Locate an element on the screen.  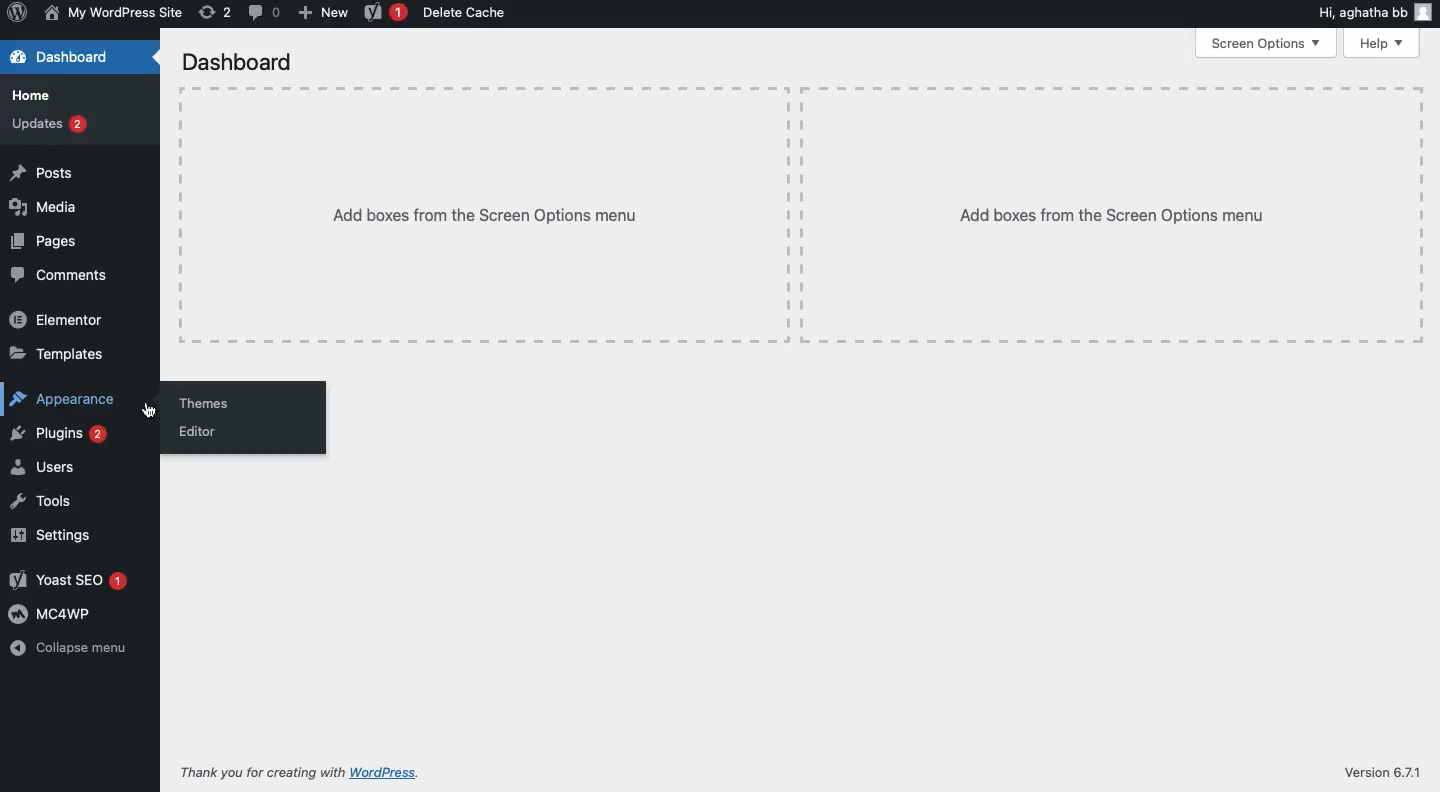
Collapse menu is located at coordinates (71, 648).